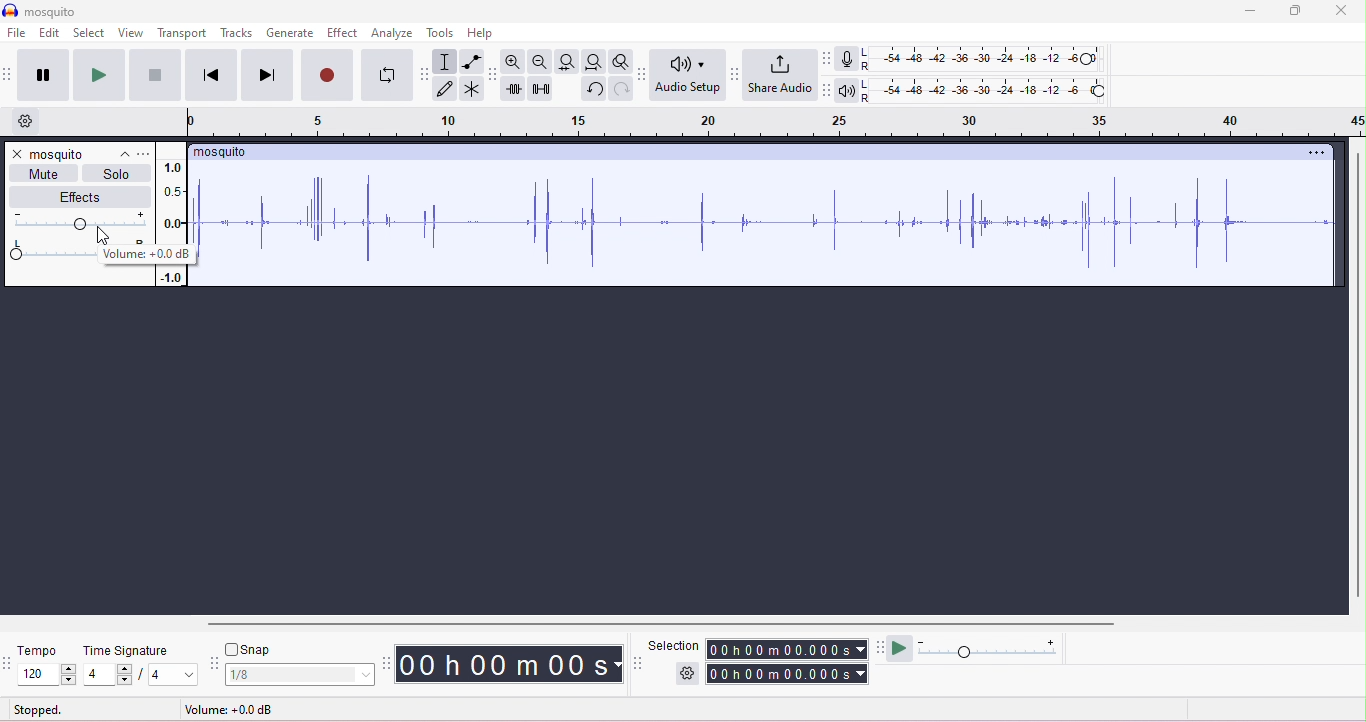 This screenshot has height=722, width=1366. What do you see at coordinates (645, 73) in the screenshot?
I see `audio set up tool bar` at bounding box center [645, 73].